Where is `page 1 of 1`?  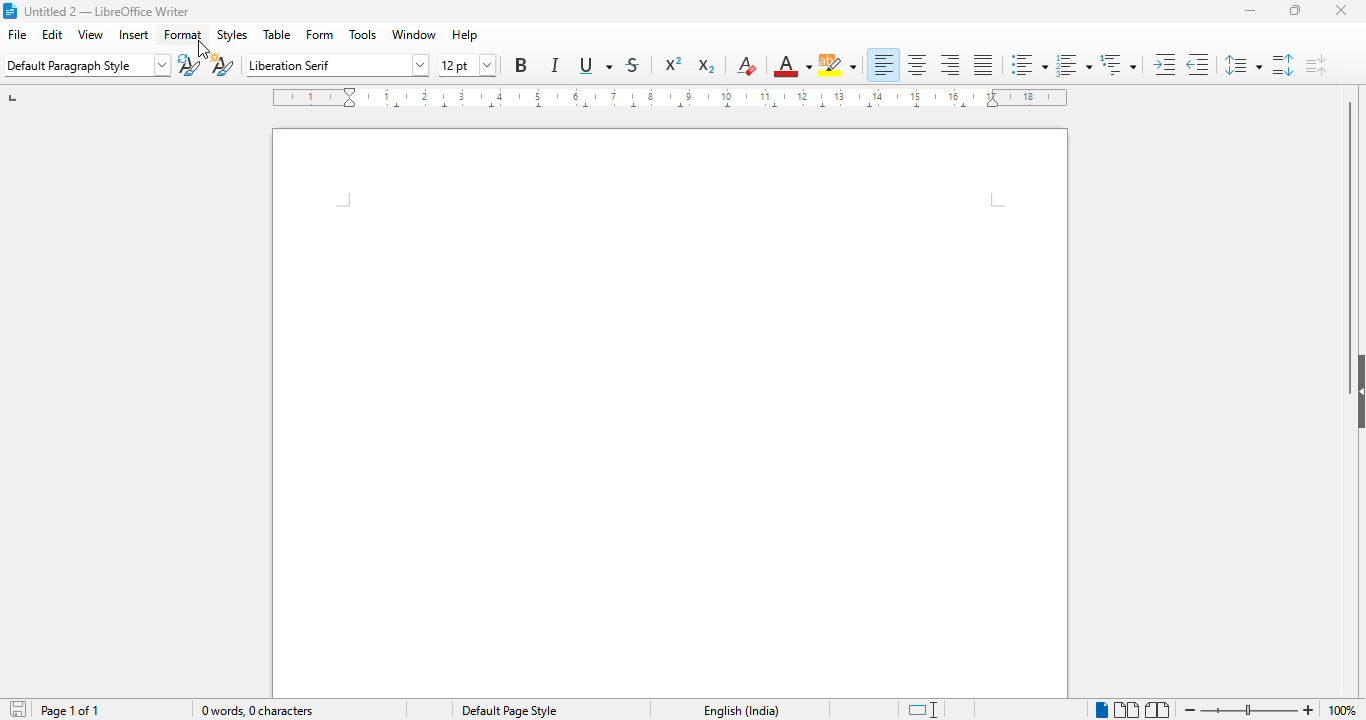 page 1 of 1 is located at coordinates (70, 710).